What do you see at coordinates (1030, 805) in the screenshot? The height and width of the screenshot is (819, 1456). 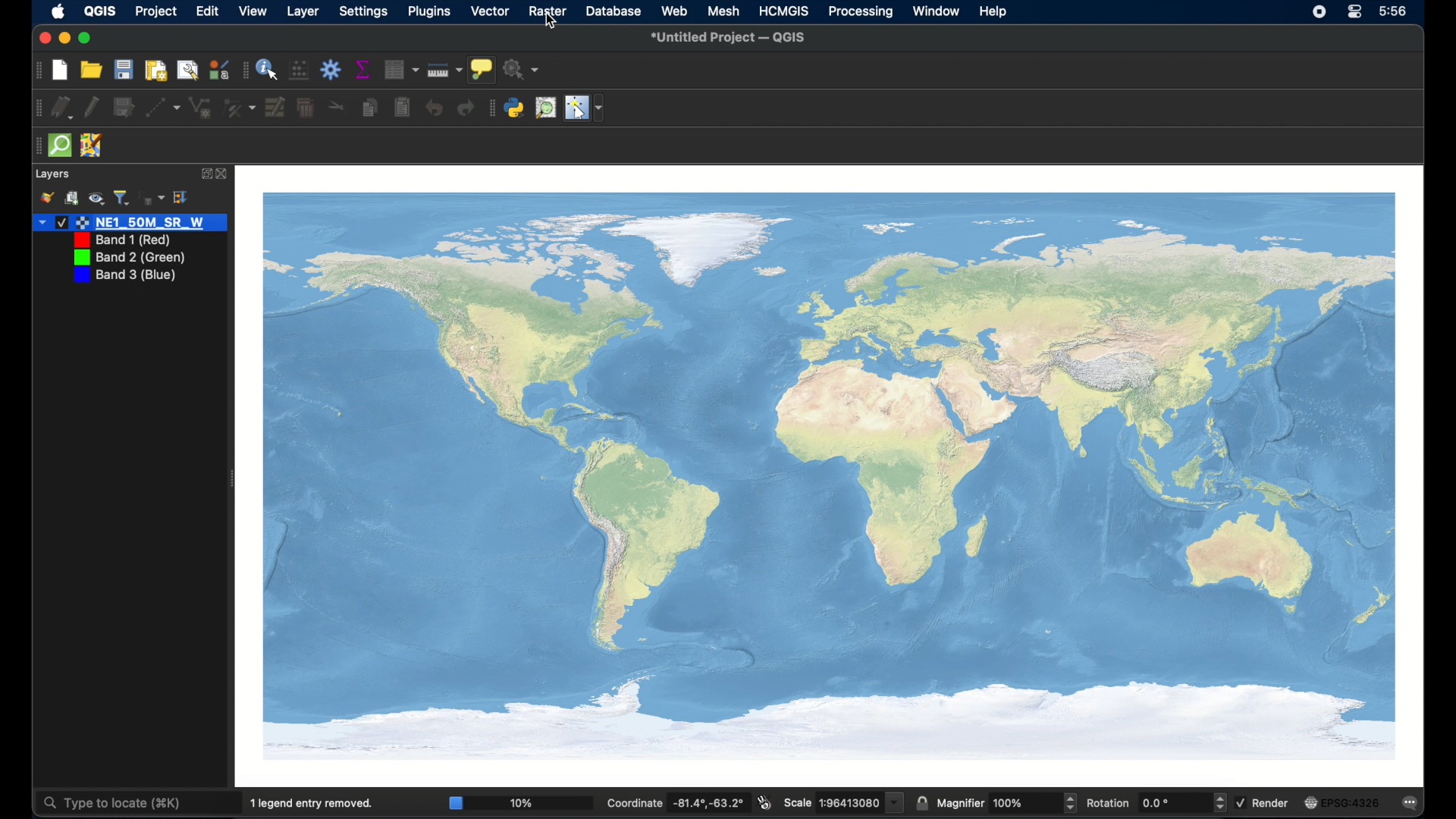 I see `100%` at bounding box center [1030, 805].